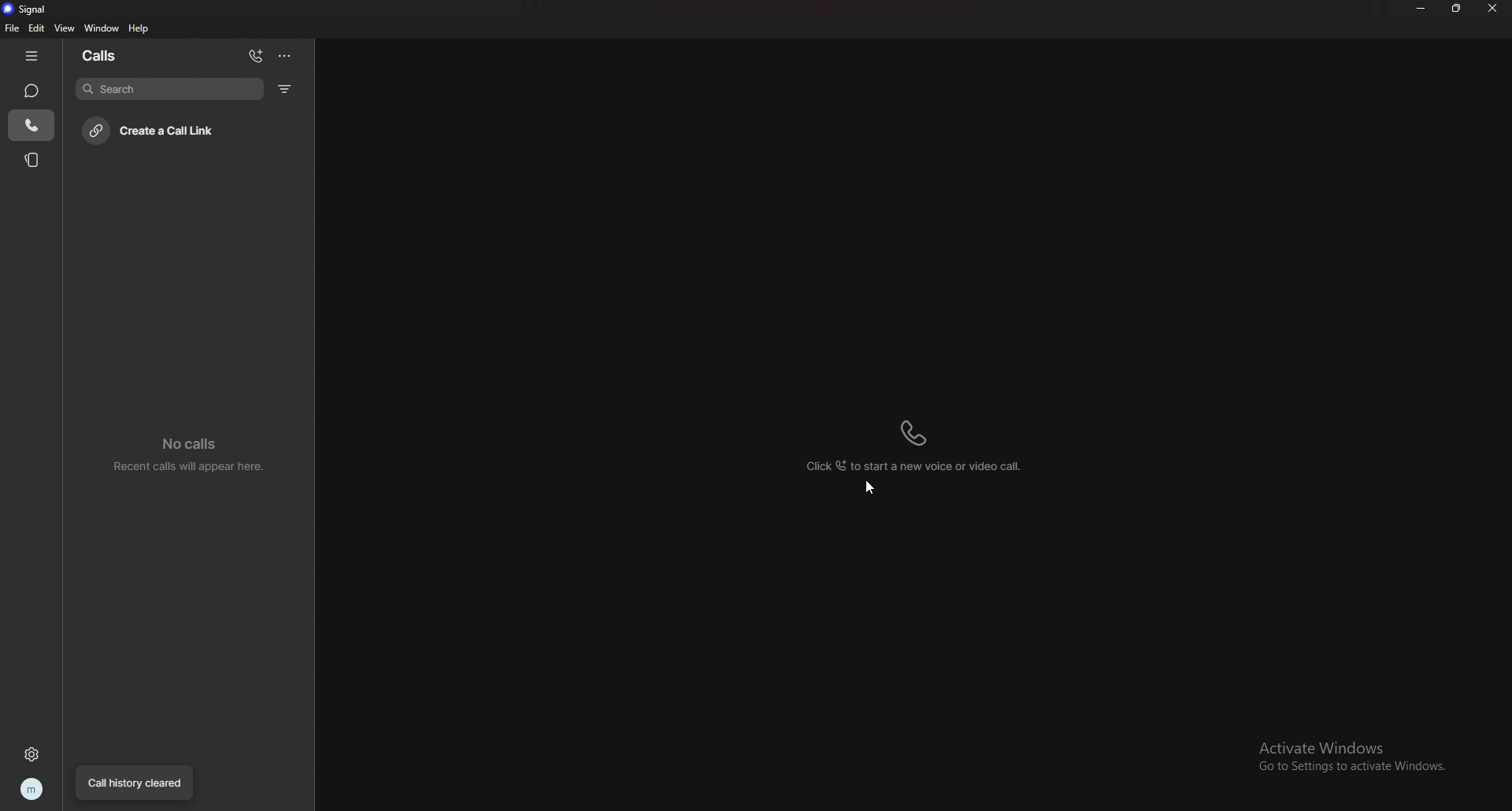 This screenshot has width=1512, height=811. Describe the element at coordinates (32, 91) in the screenshot. I see `chats` at that location.